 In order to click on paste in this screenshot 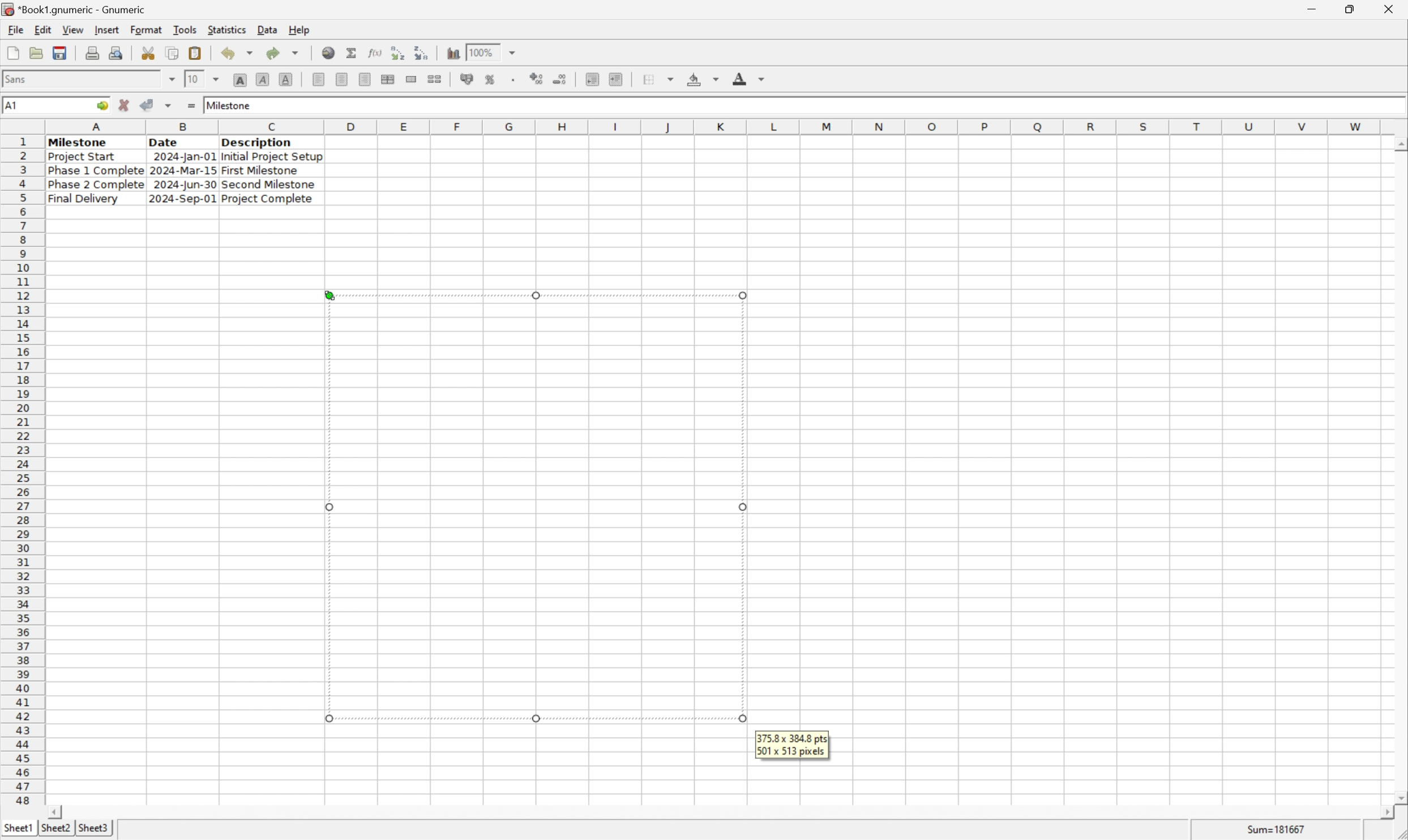, I will do `click(195, 53)`.